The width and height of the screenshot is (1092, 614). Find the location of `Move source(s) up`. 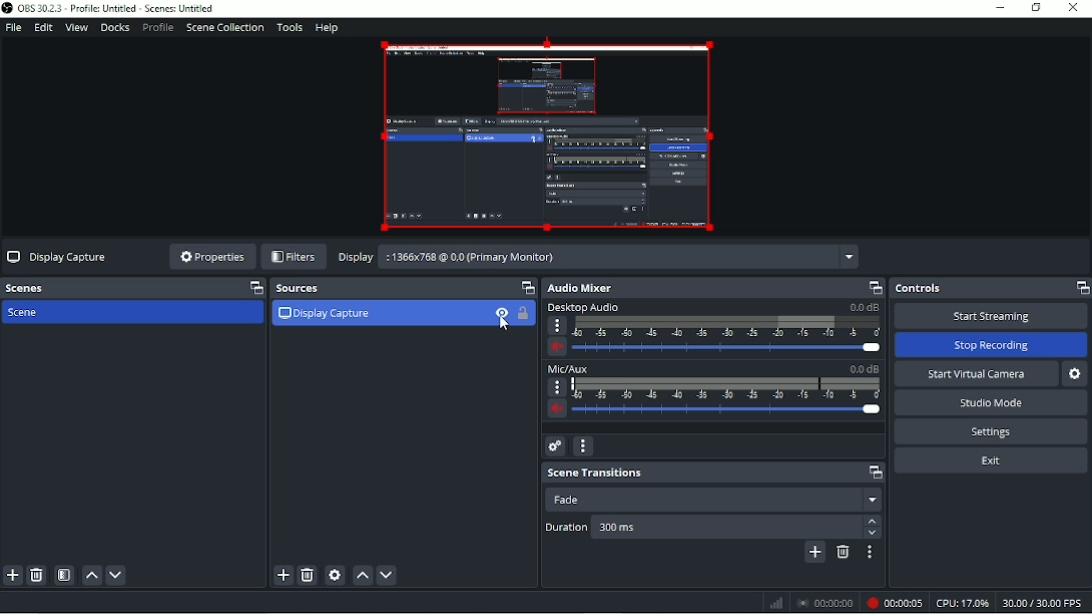

Move source(s) up is located at coordinates (363, 576).